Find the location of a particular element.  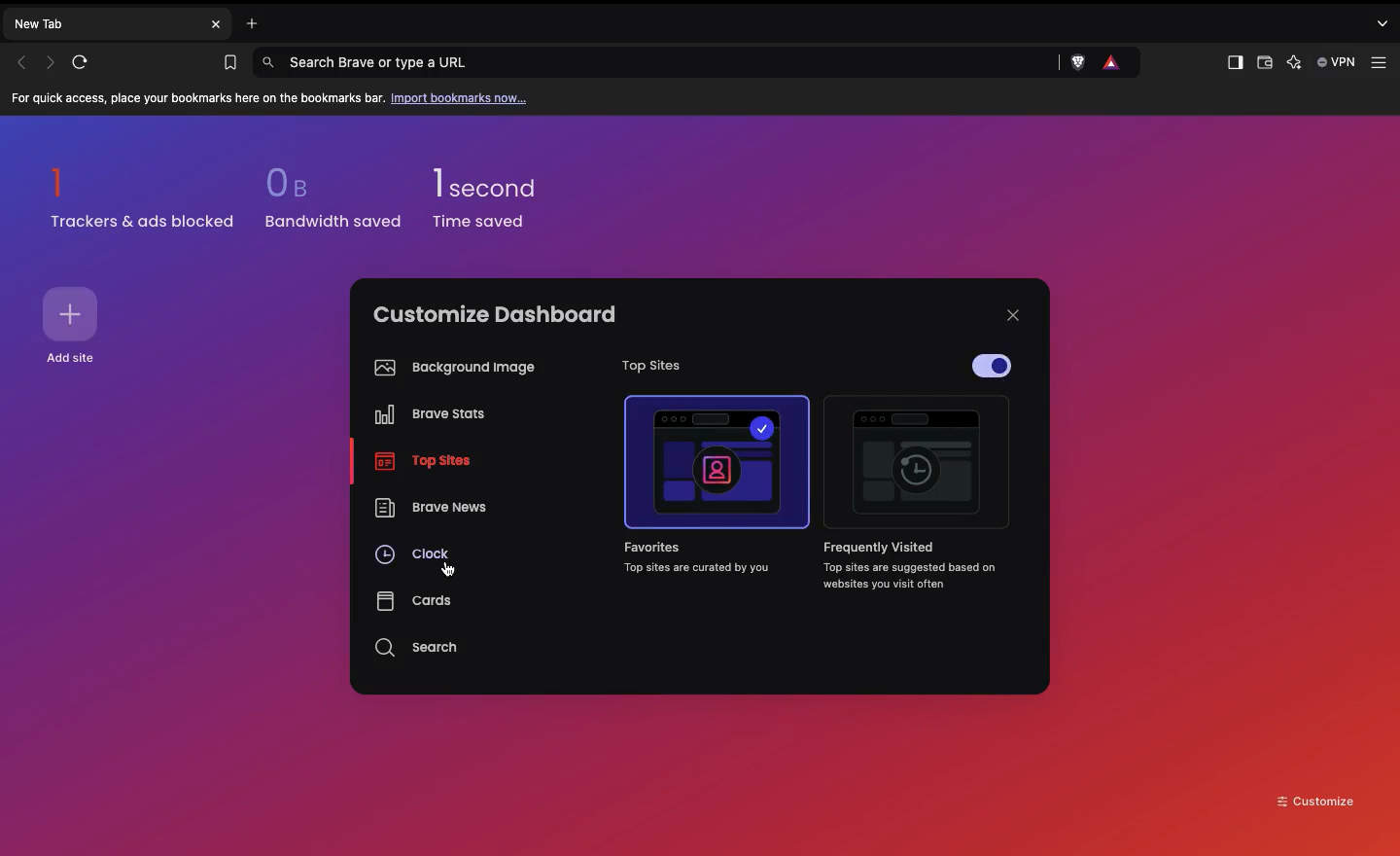

Customize and control Brave is located at coordinates (1382, 63).